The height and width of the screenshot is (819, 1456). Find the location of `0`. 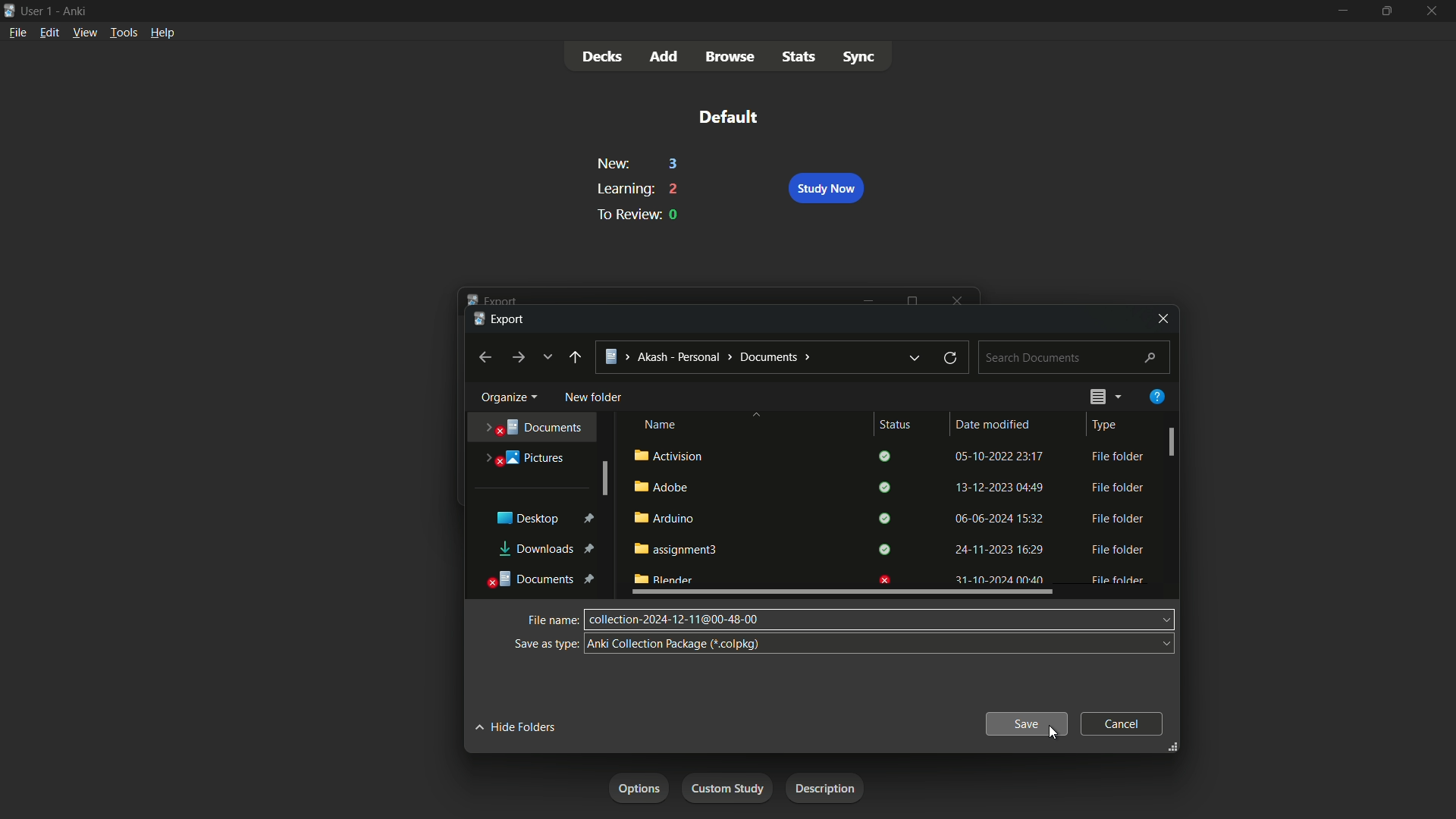

0 is located at coordinates (675, 215).